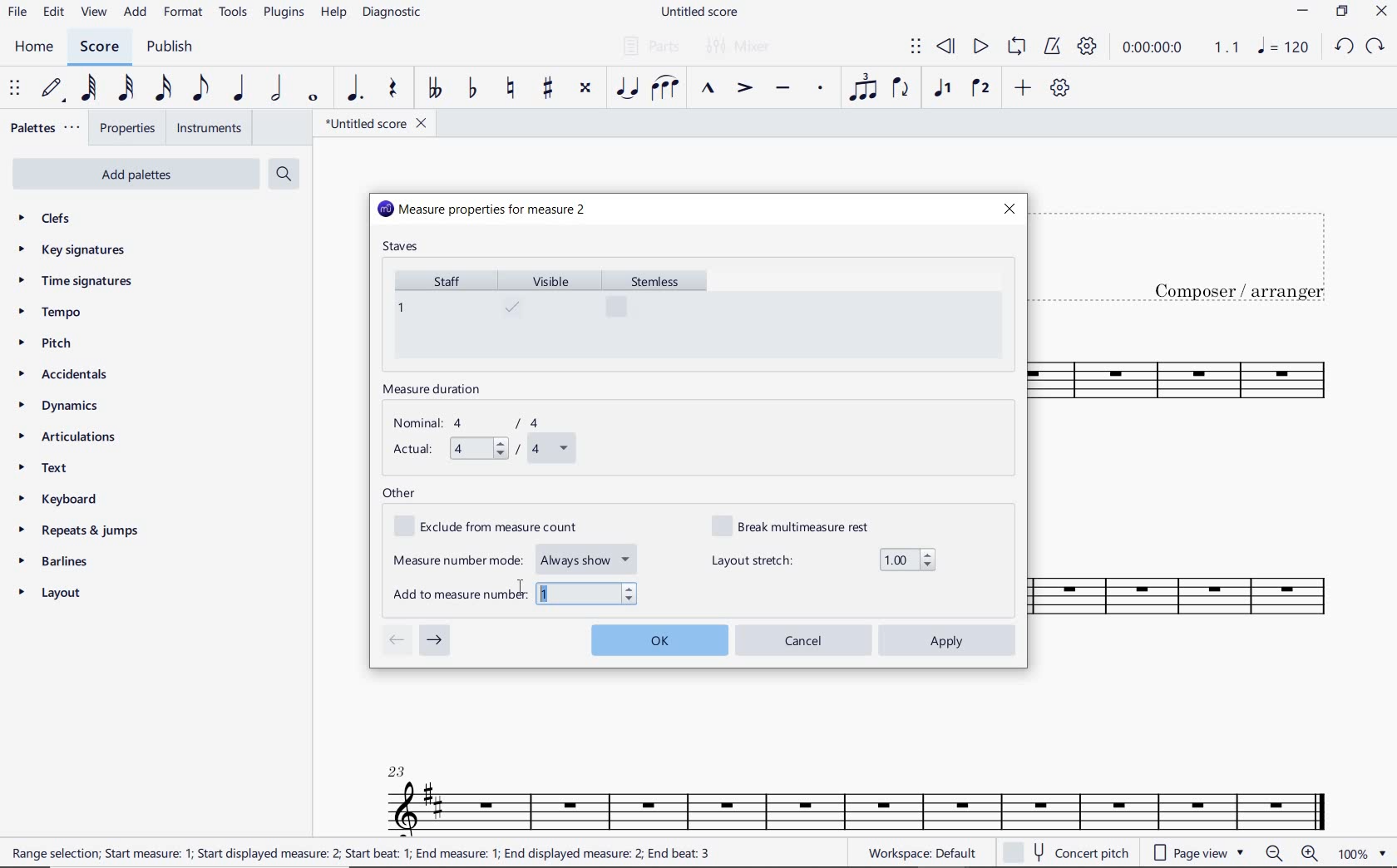 The height and width of the screenshot is (868, 1397). I want to click on KEYBOARD, so click(72, 501).